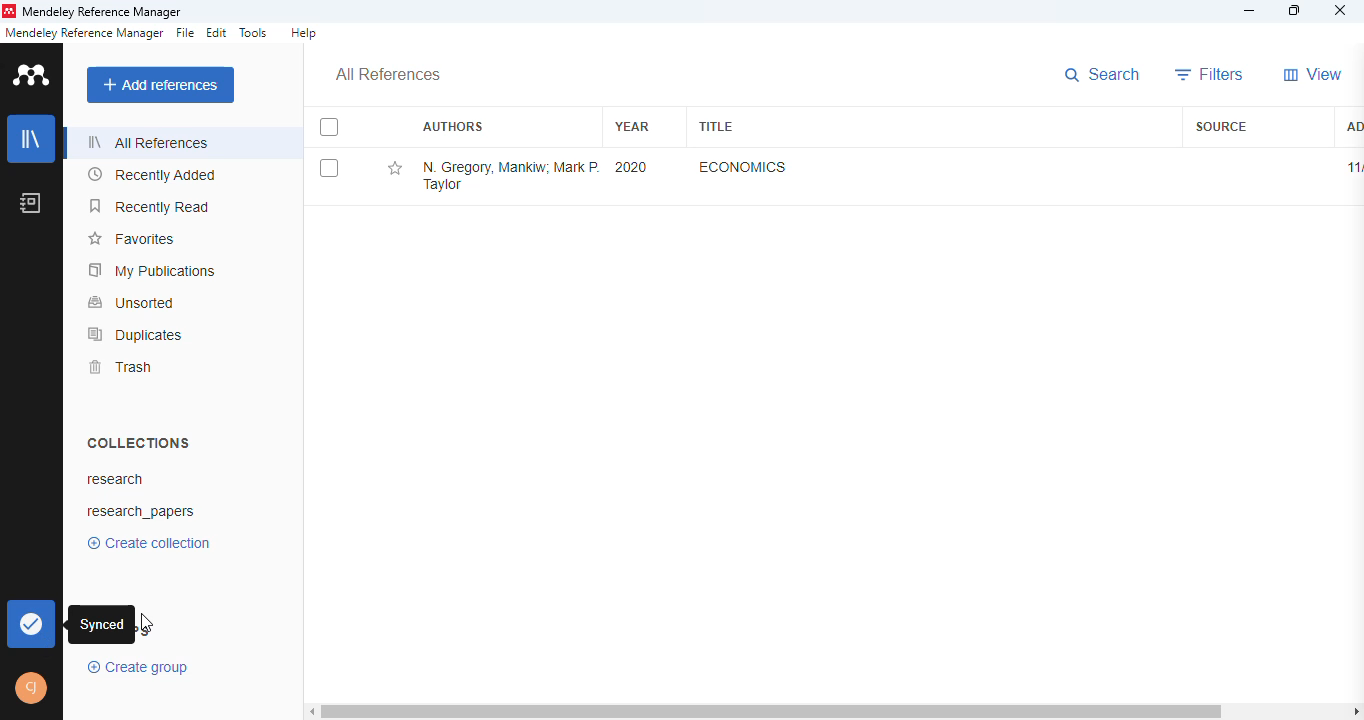 This screenshot has height=720, width=1364. What do you see at coordinates (718, 126) in the screenshot?
I see `title` at bounding box center [718, 126].